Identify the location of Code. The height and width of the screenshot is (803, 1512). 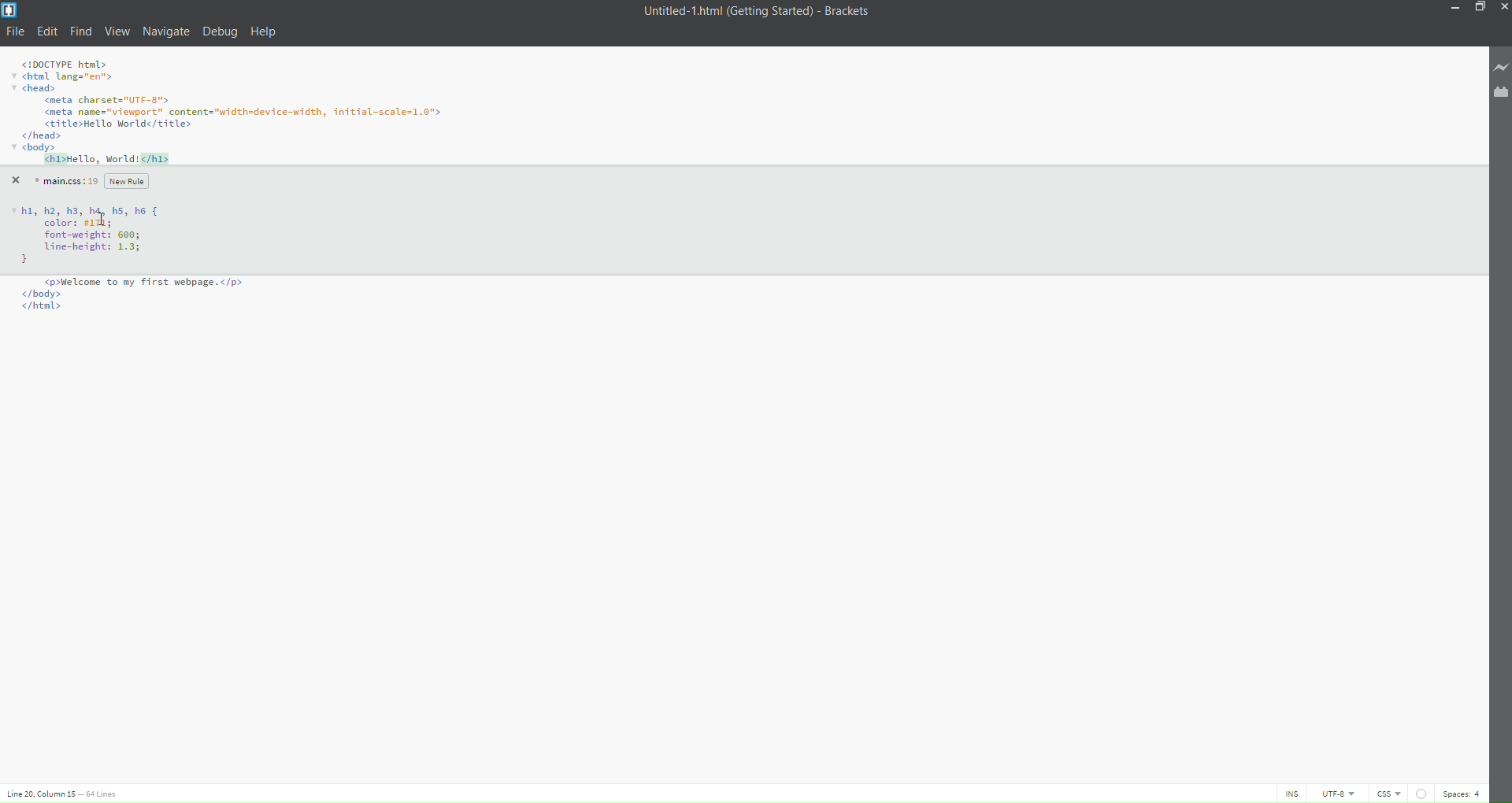
(96, 244).